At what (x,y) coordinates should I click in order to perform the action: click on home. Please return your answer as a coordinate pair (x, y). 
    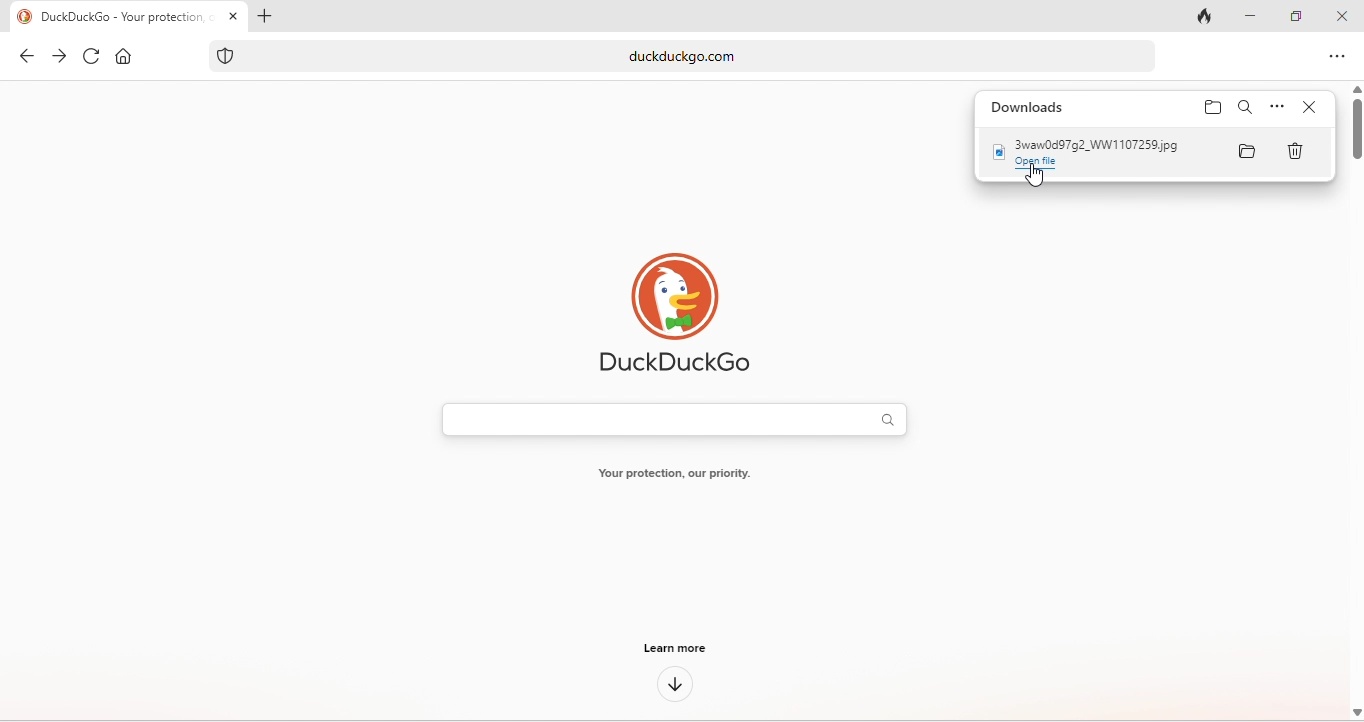
    Looking at the image, I should click on (125, 58).